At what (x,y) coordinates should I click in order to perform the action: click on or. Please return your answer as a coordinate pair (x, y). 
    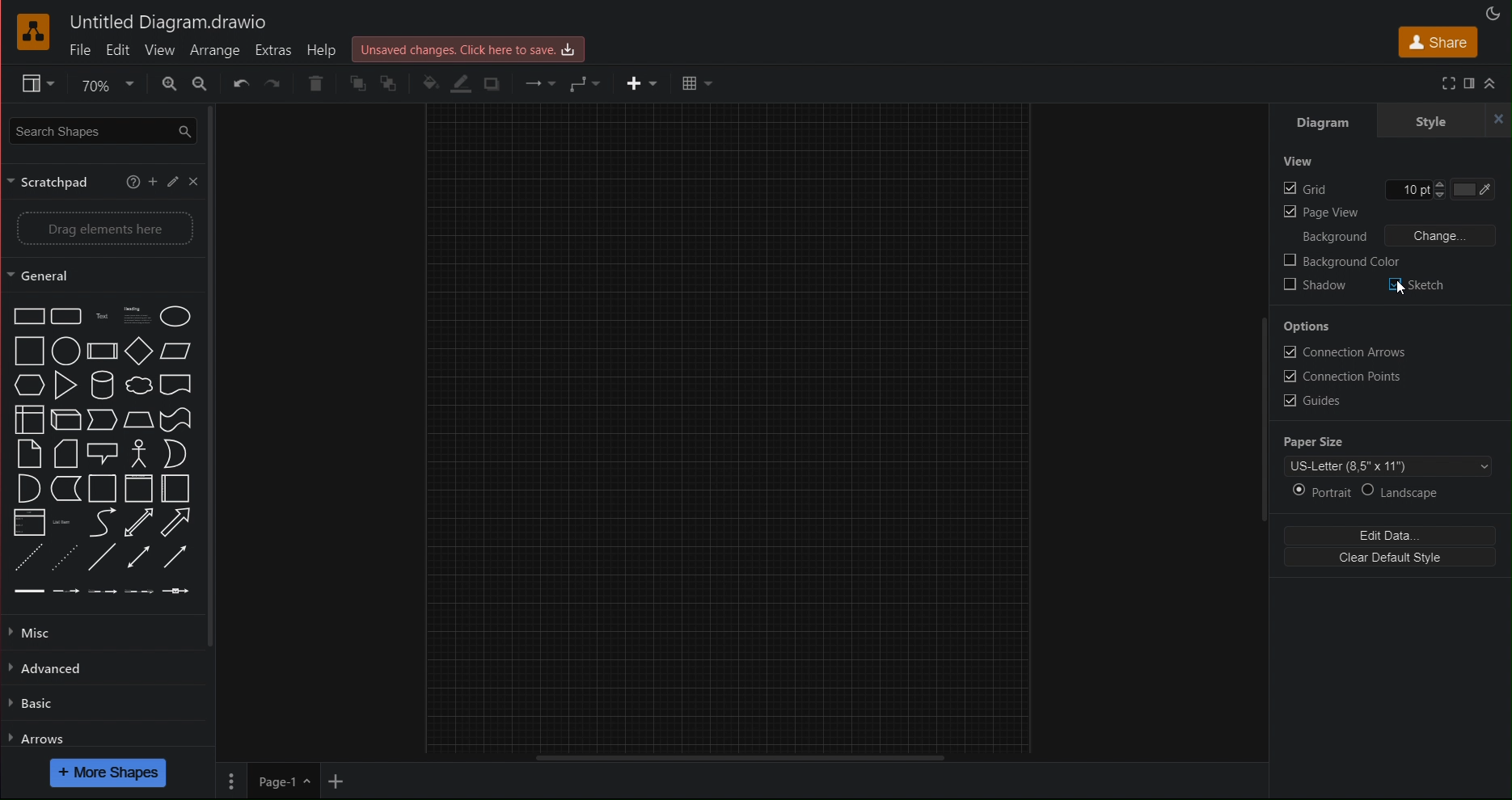
    Looking at the image, I should click on (174, 453).